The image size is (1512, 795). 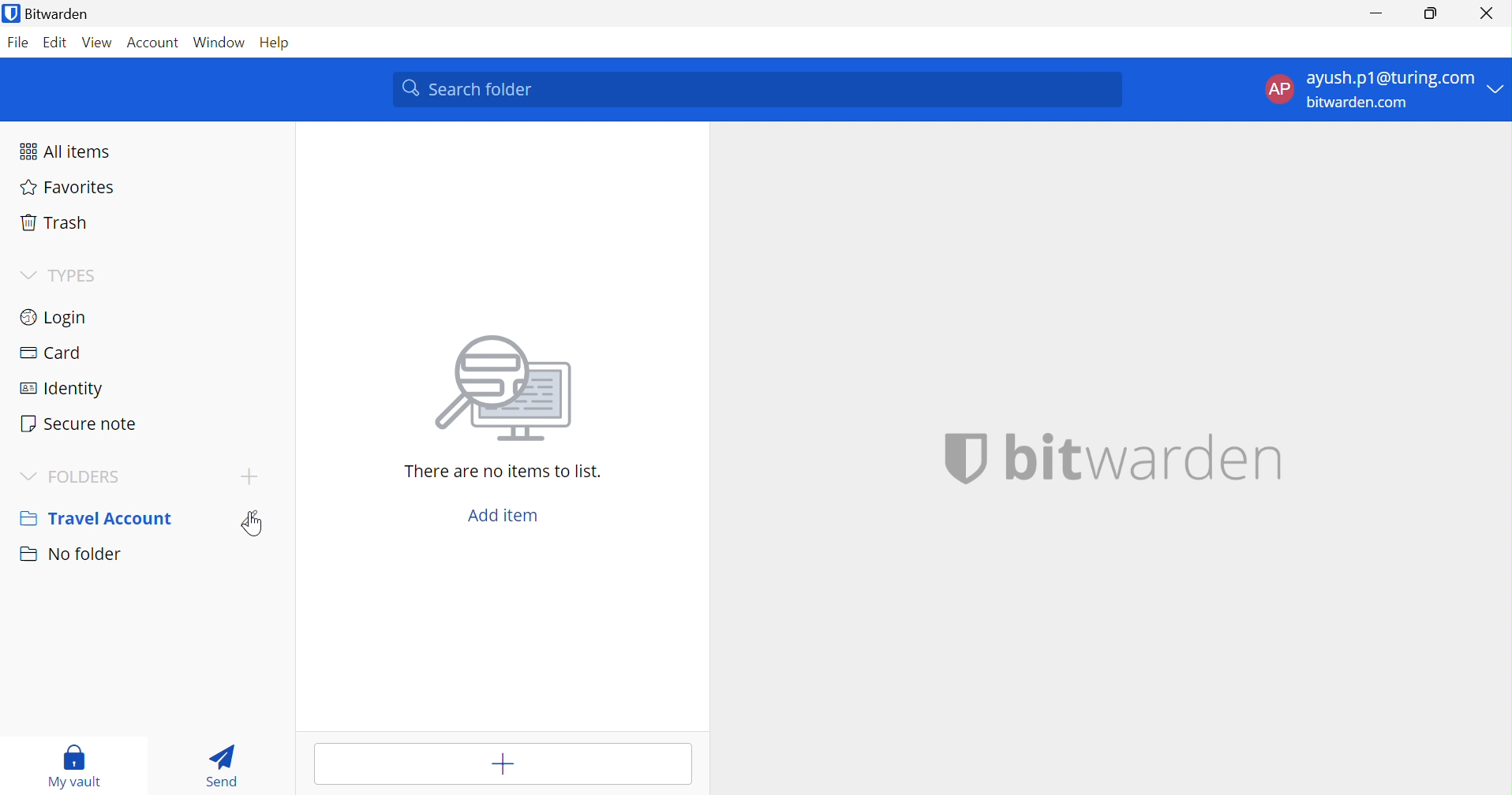 I want to click on My Vault, so click(x=78, y=768).